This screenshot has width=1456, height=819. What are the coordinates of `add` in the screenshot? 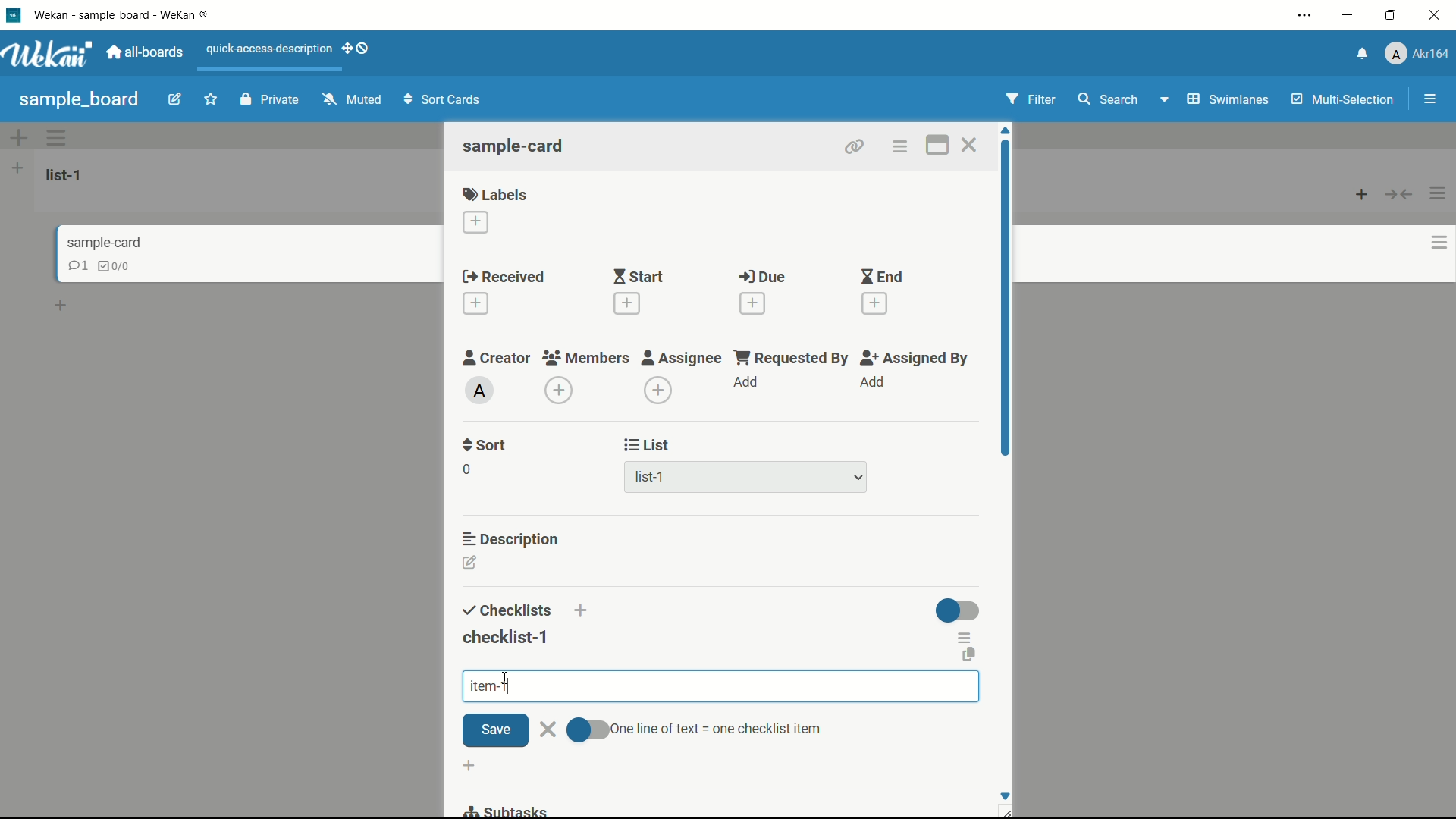 It's located at (1357, 196).